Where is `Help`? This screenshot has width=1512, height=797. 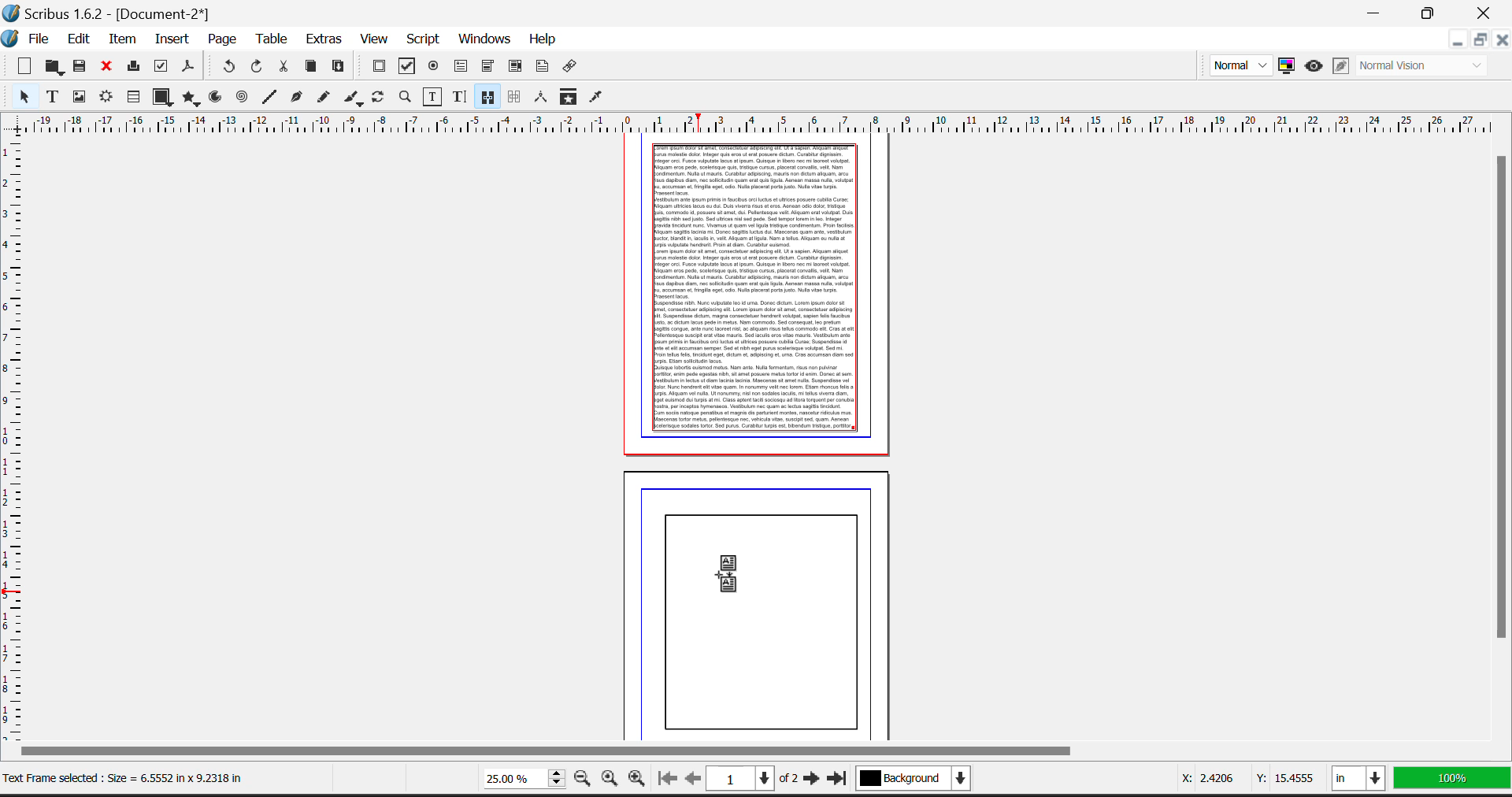 Help is located at coordinates (542, 39).